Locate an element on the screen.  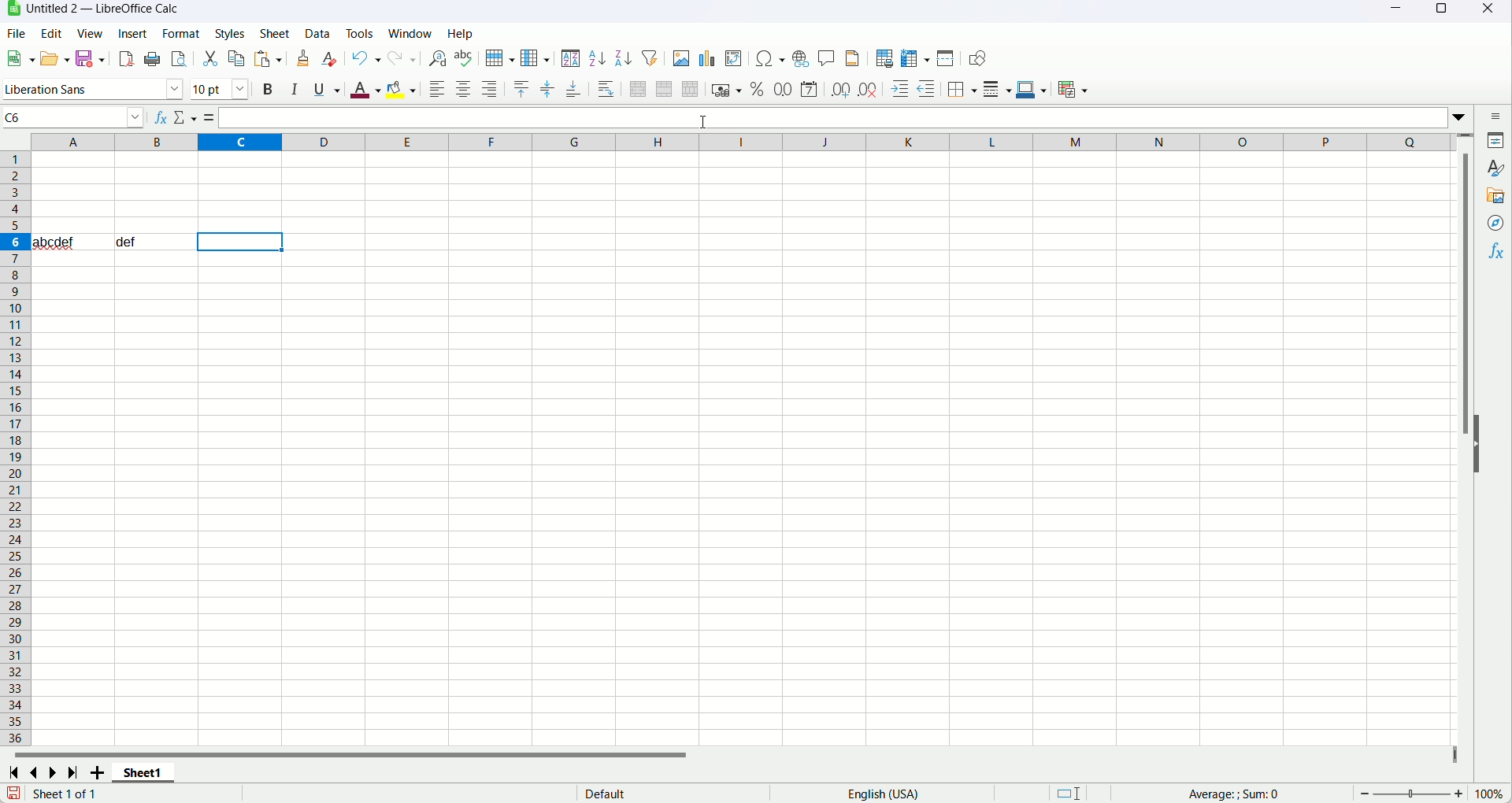
insert chart is located at coordinates (706, 59).